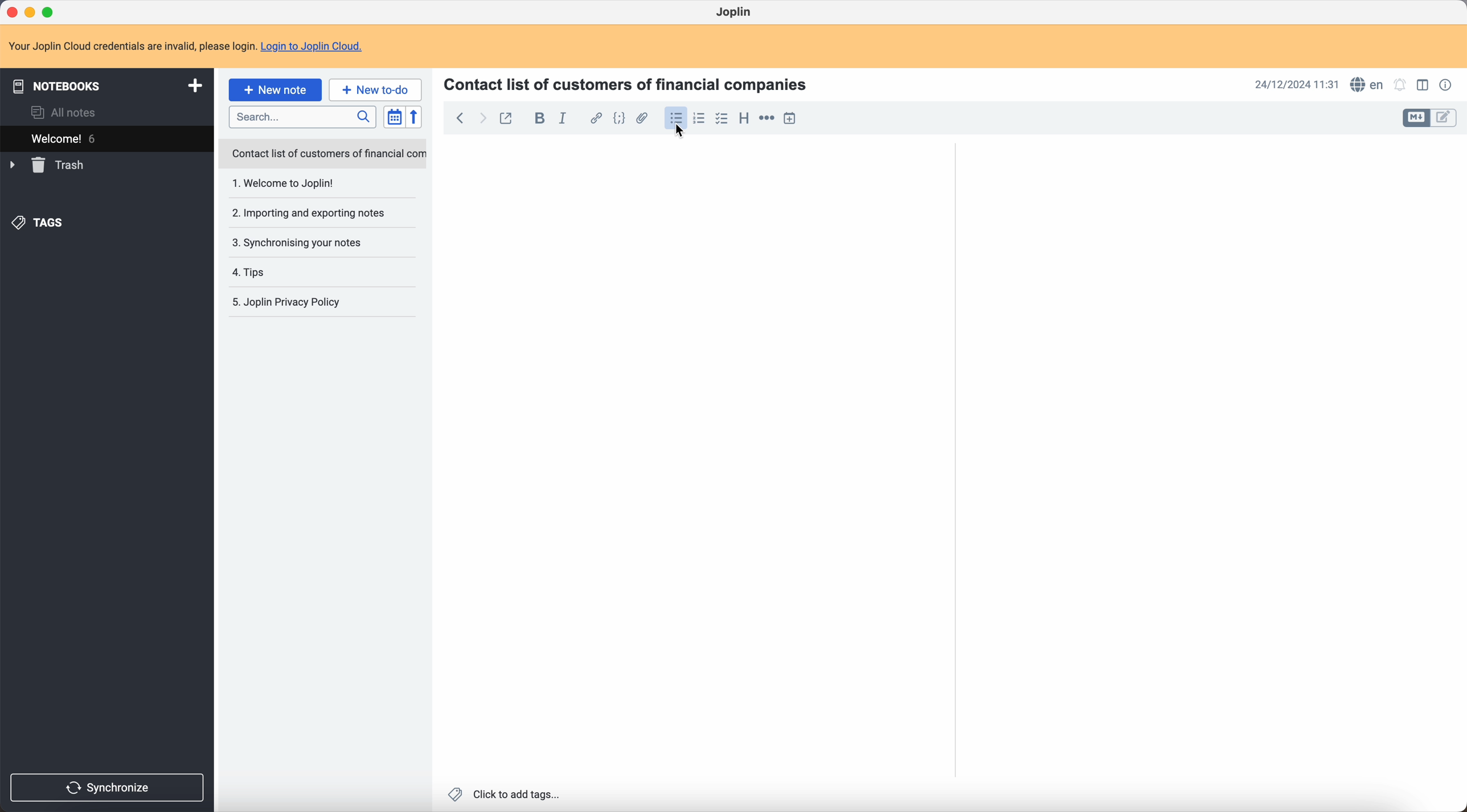 This screenshot has width=1467, height=812. What do you see at coordinates (744, 119) in the screenshot?
I see `heading` at bounding box center [744, 119].